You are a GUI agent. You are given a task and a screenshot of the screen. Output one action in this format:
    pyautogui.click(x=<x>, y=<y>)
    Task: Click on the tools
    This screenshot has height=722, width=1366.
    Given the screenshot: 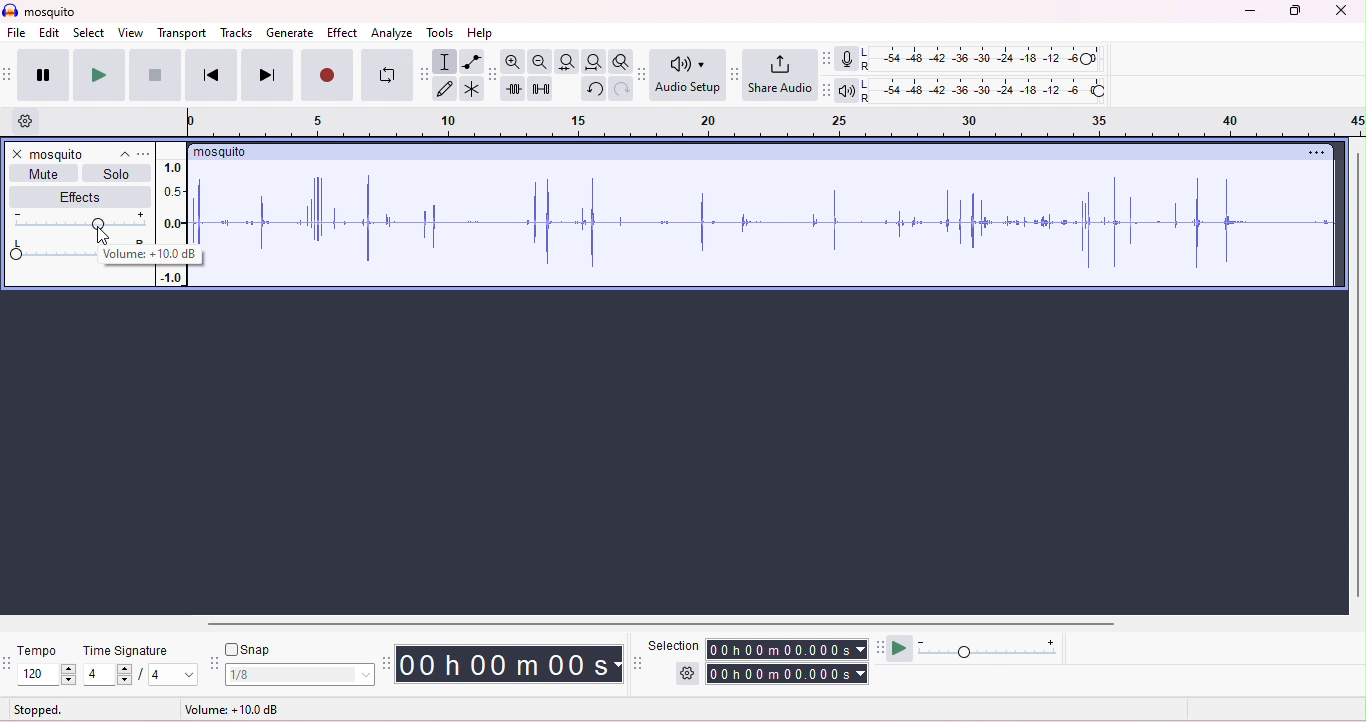 What is the action you would take?
    pyautogui.click(x=440, y=34)
    